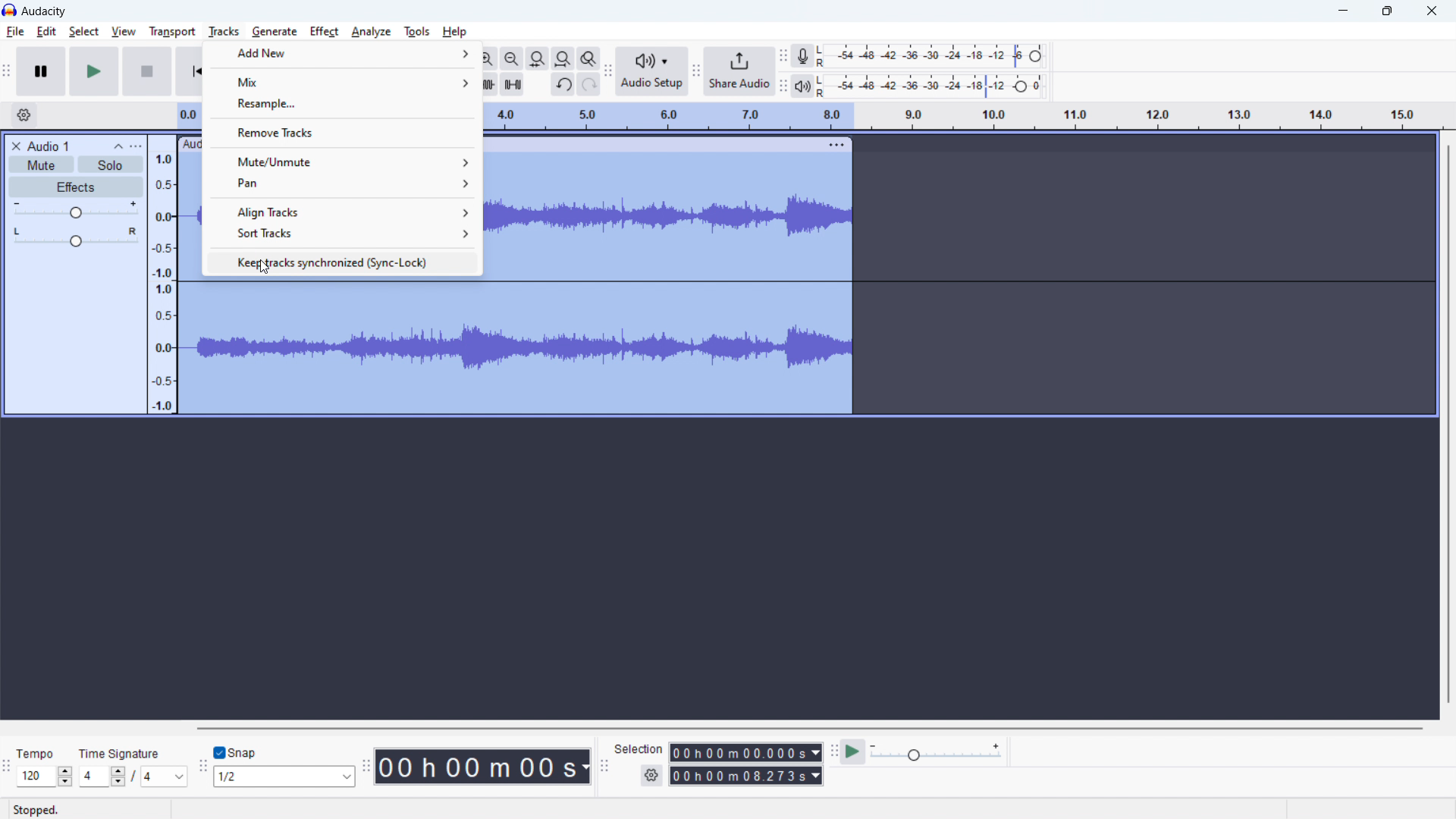  Describe the element at coordinates (344, 212) in the screenshot. I see `align tracks` at that location.